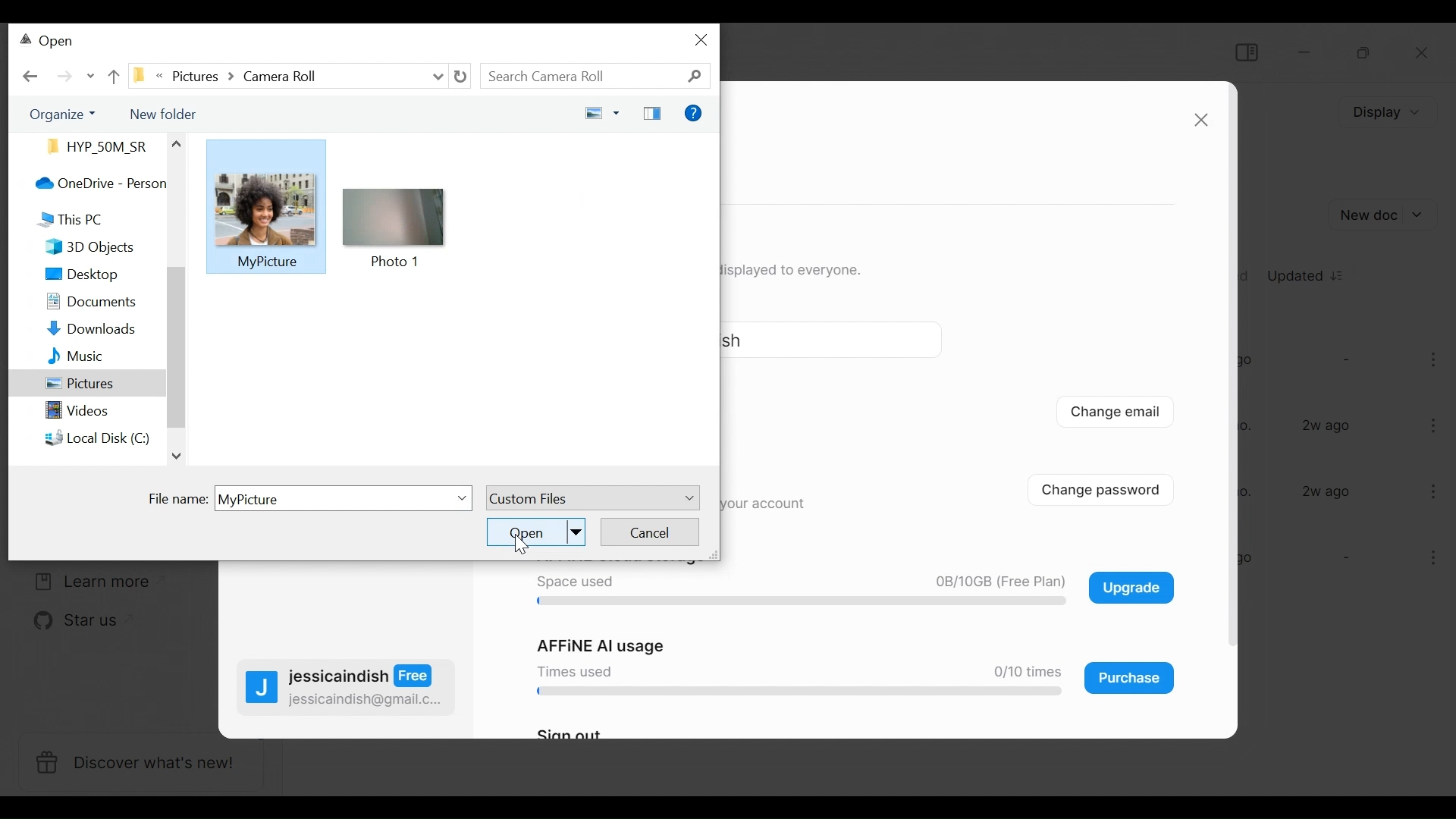 This screenshot has height=819, width=1456. I want to click on Cancel, so click(650, 531).